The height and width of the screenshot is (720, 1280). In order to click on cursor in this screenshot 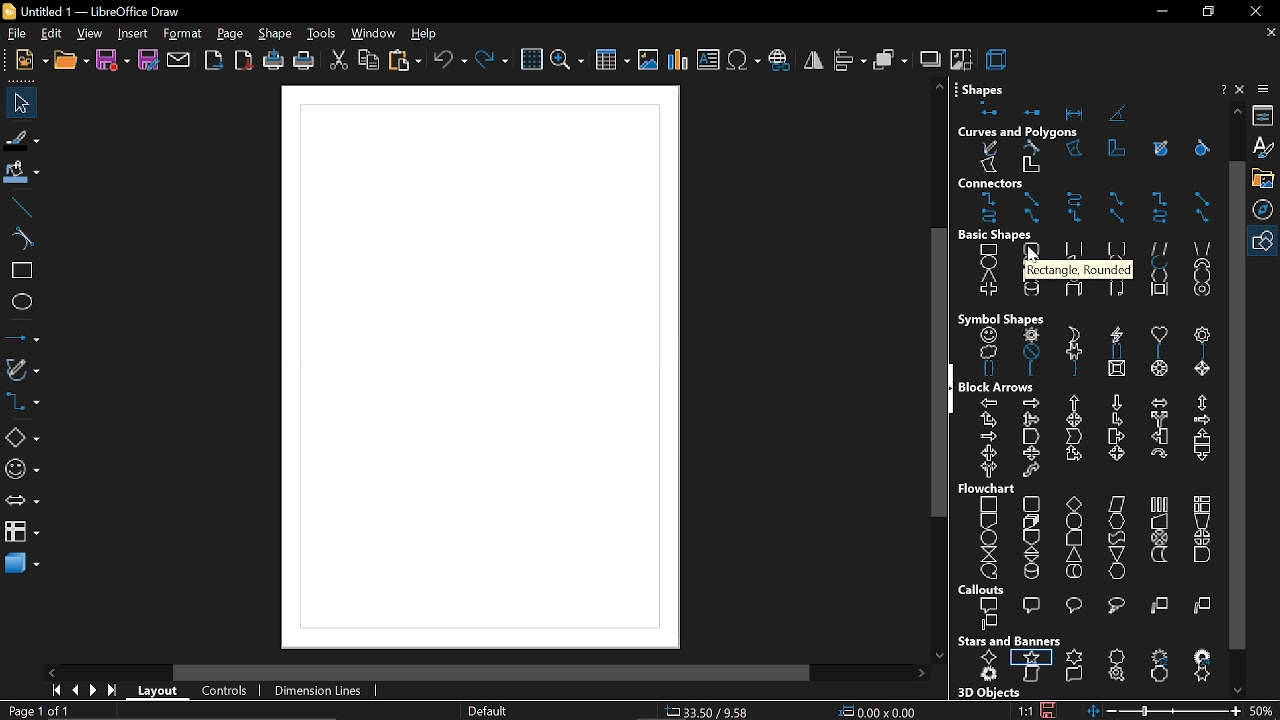, I will do `click(1035, 258)`.